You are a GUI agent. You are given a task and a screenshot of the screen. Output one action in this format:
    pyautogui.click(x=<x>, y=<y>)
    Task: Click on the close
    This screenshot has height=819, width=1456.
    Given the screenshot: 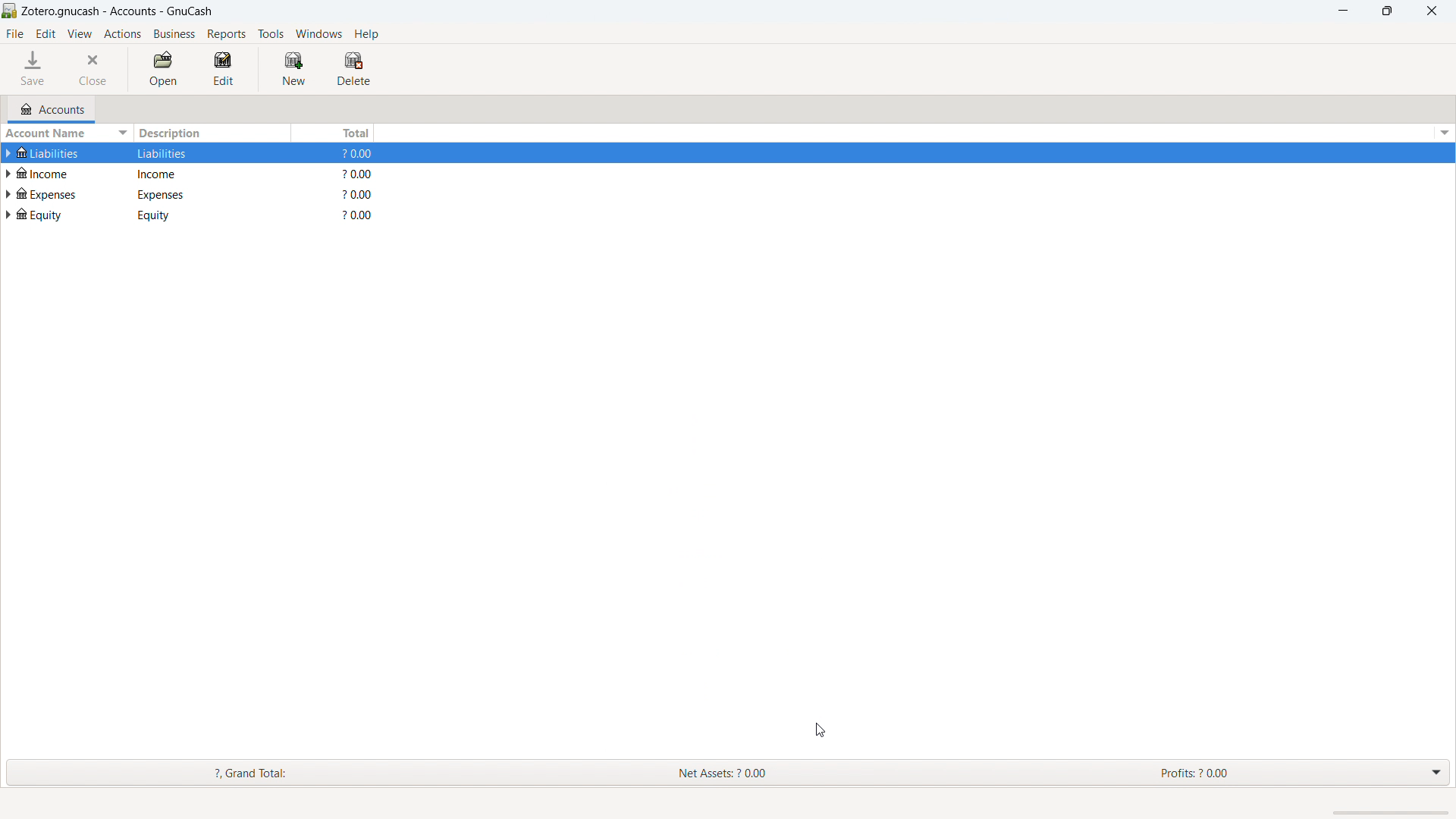 What is the action you would take?
    pyautogui.click(x=1432, y=11)
    